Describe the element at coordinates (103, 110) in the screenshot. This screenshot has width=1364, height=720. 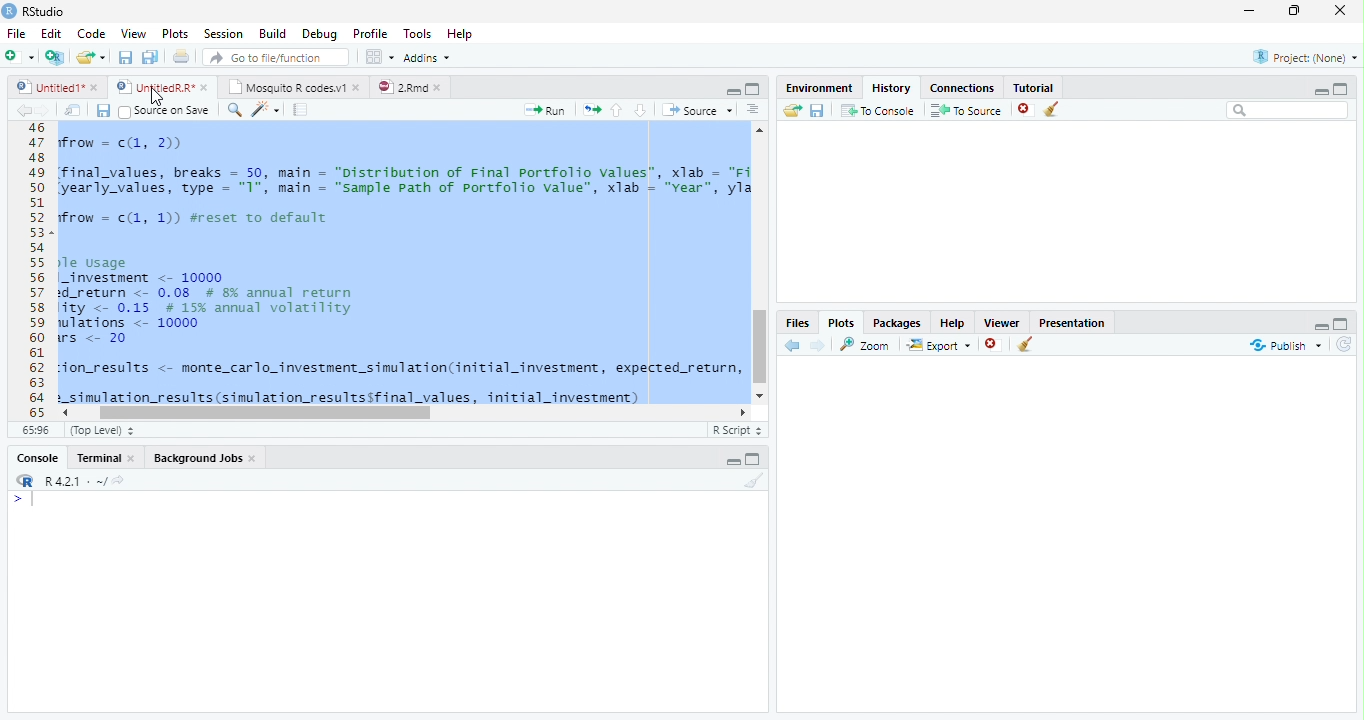
I see `Save` at that location.